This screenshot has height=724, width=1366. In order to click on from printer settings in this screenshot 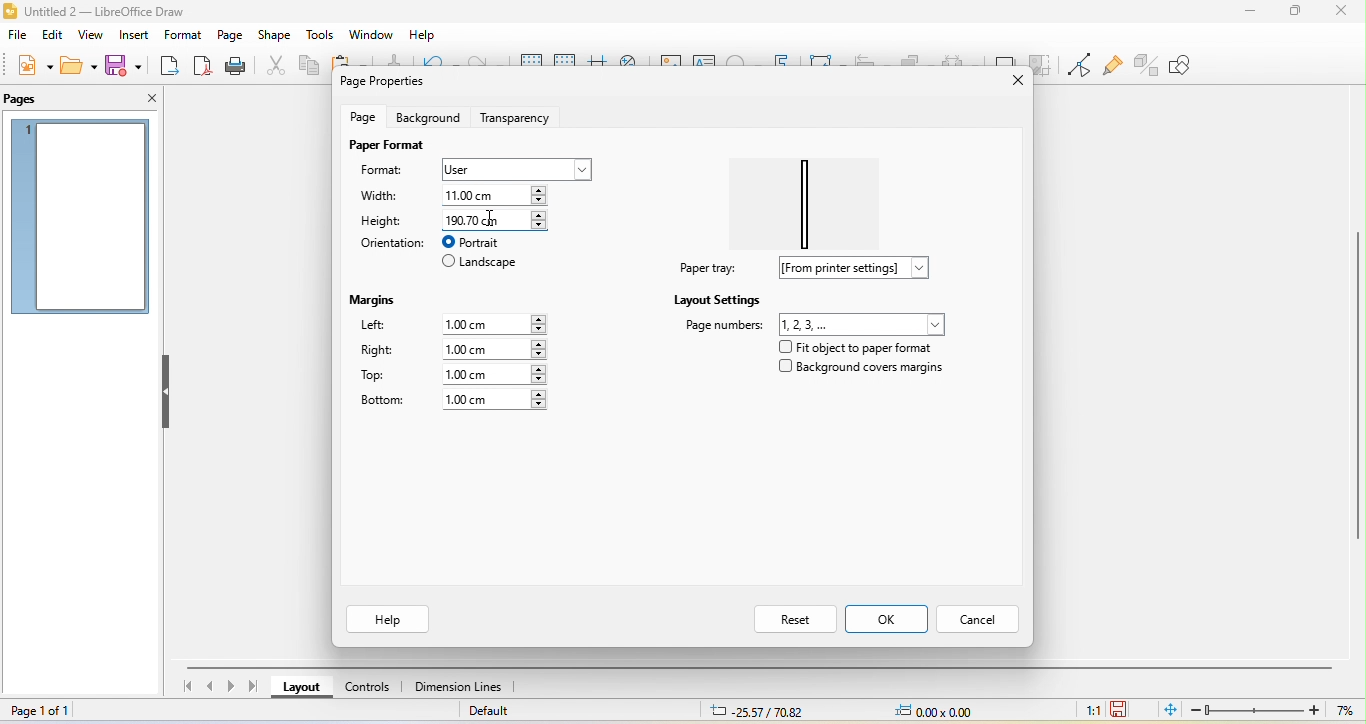, I will do `click(862, 268)`.